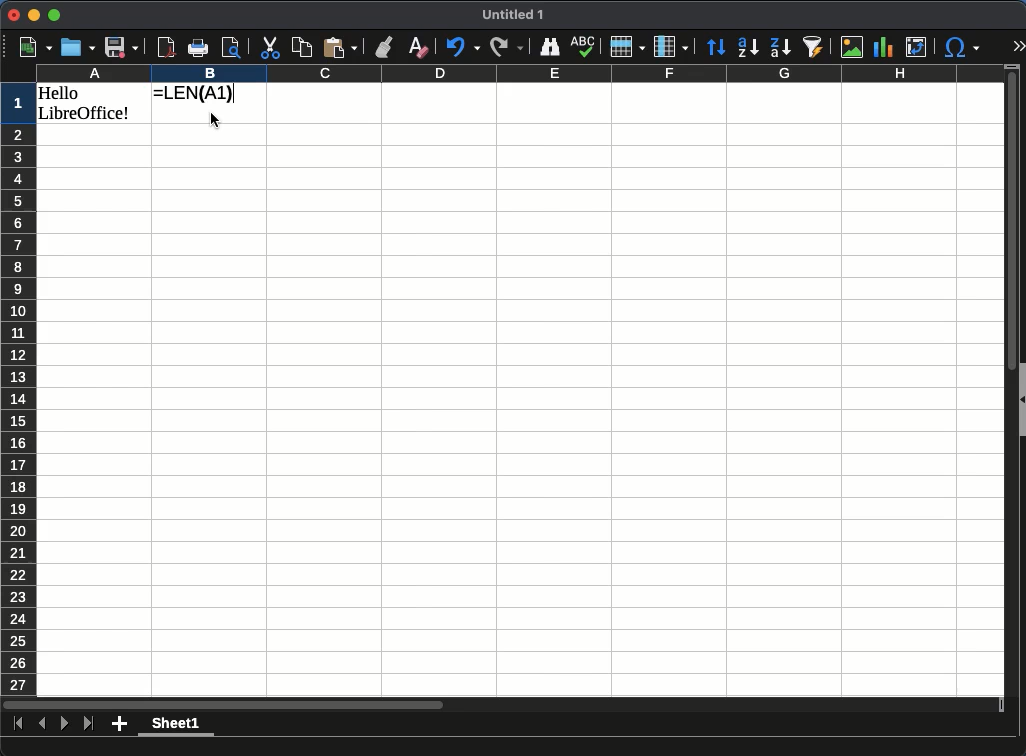 This screenshot has height=756, width=1026. I want to click on clone formatting, so click(382, 46).